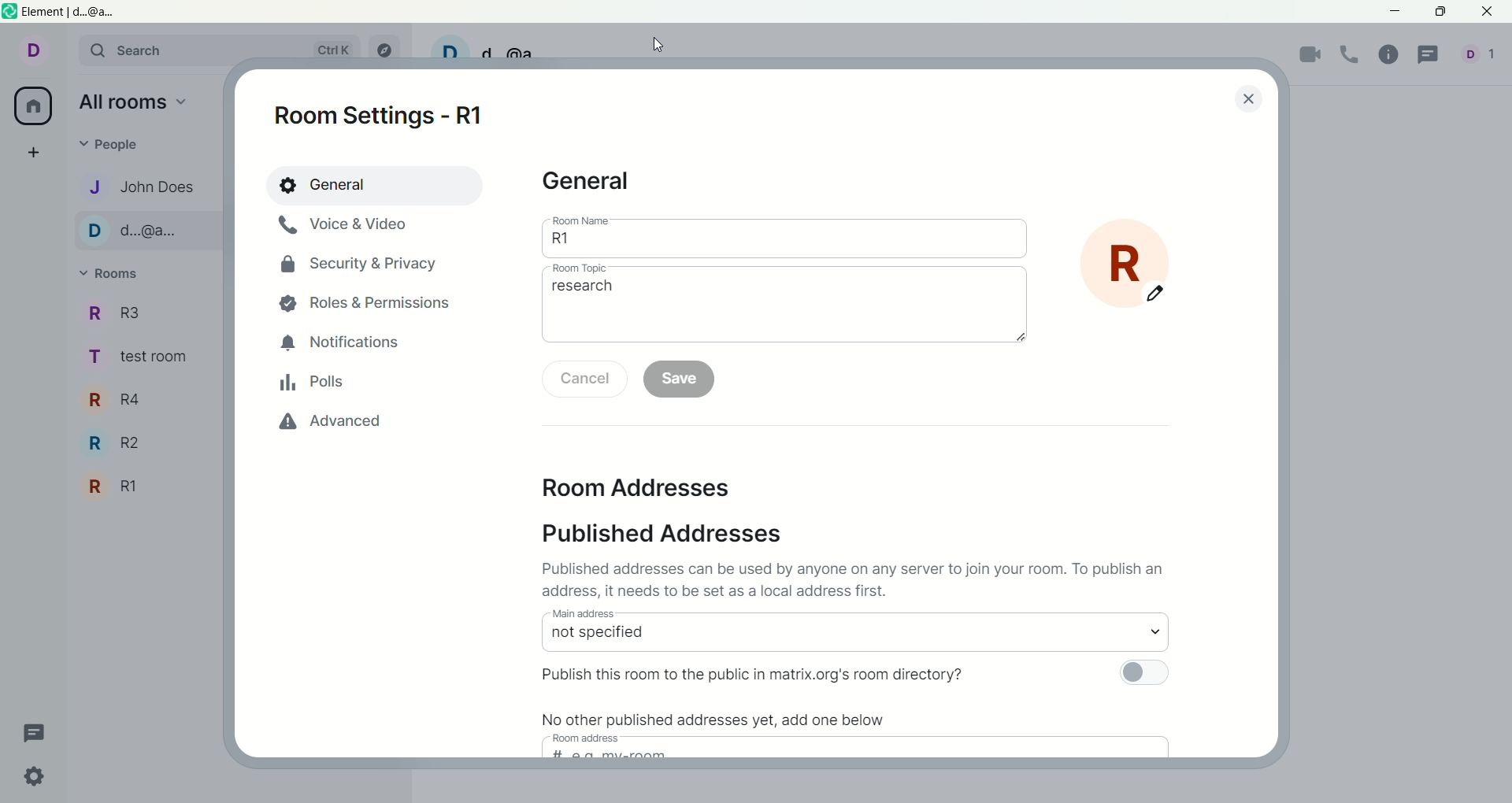 Image resolution: width=1512 pixels, height=803 pixels. What do you see at coordinates (320, 387) in the screenshot?
I see `polls` at bounding box center [320, 387].